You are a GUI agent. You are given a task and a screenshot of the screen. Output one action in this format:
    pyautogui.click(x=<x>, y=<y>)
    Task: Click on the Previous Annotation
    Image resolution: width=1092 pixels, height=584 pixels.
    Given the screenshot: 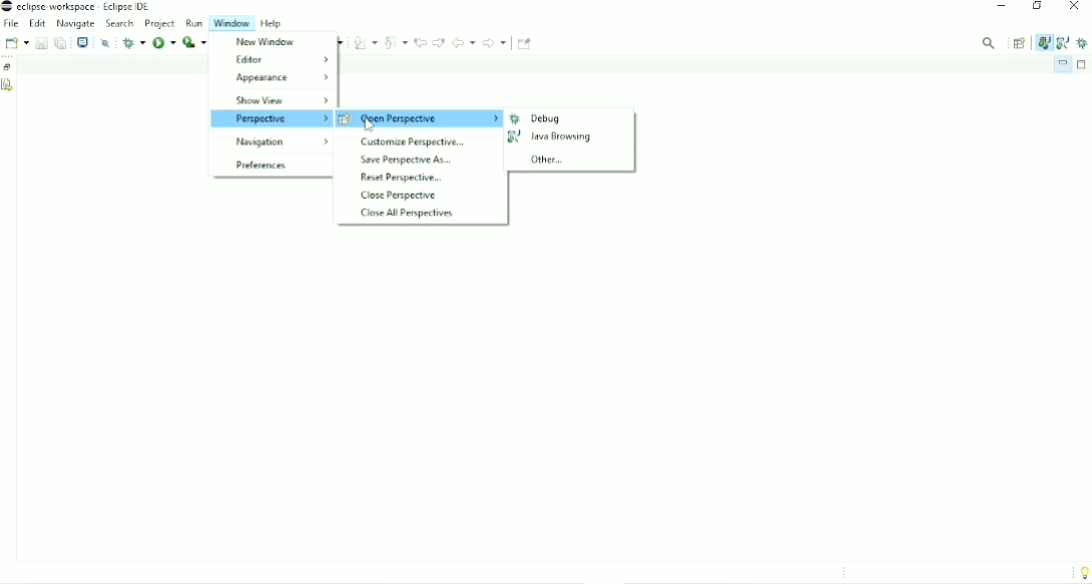 What is the action you would take?
    pyautogui.click(x=397, y=41)
    